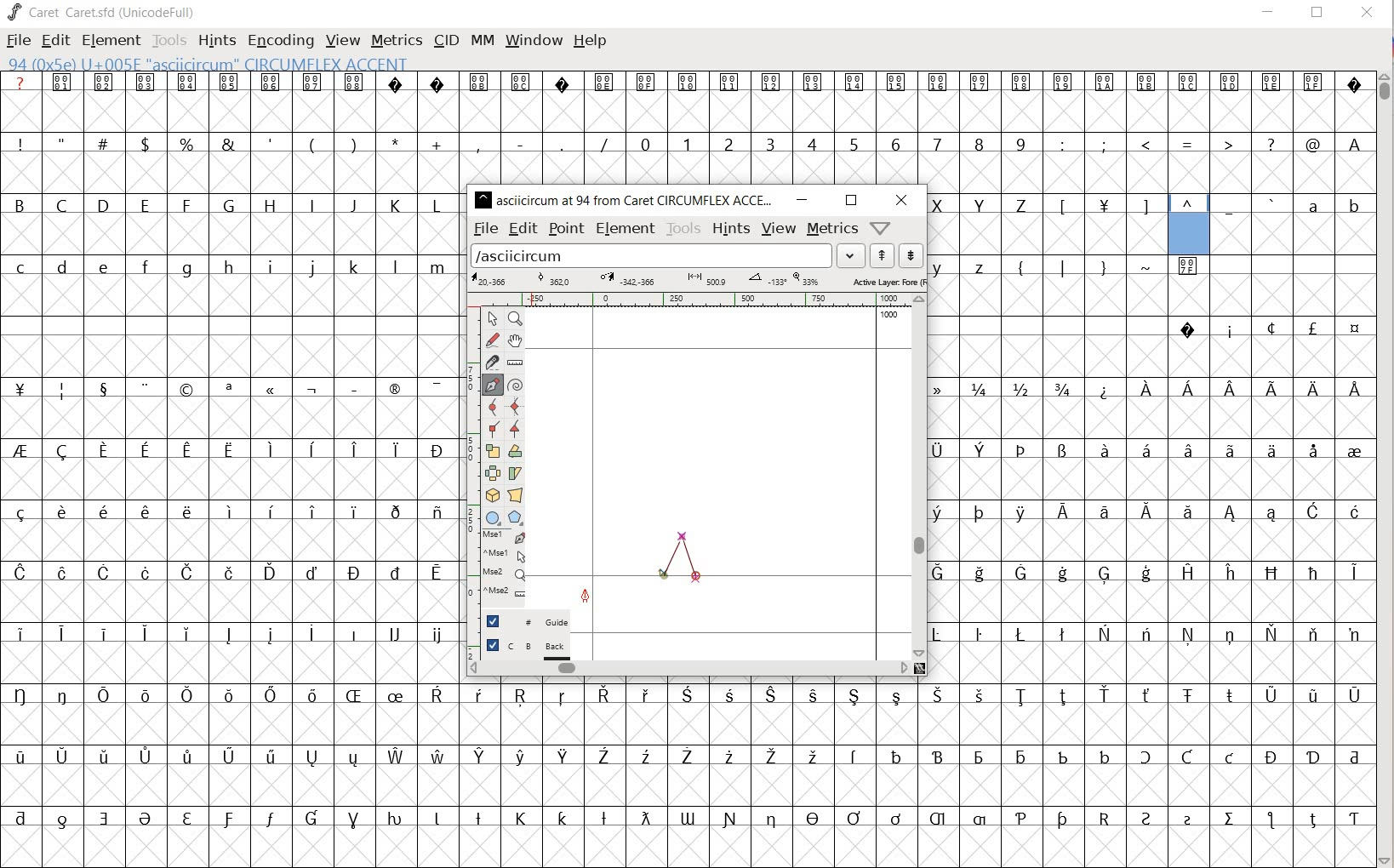  Describe the element at coordinates (494, 408) in the screenshot. I see `add a curve point` at that location.